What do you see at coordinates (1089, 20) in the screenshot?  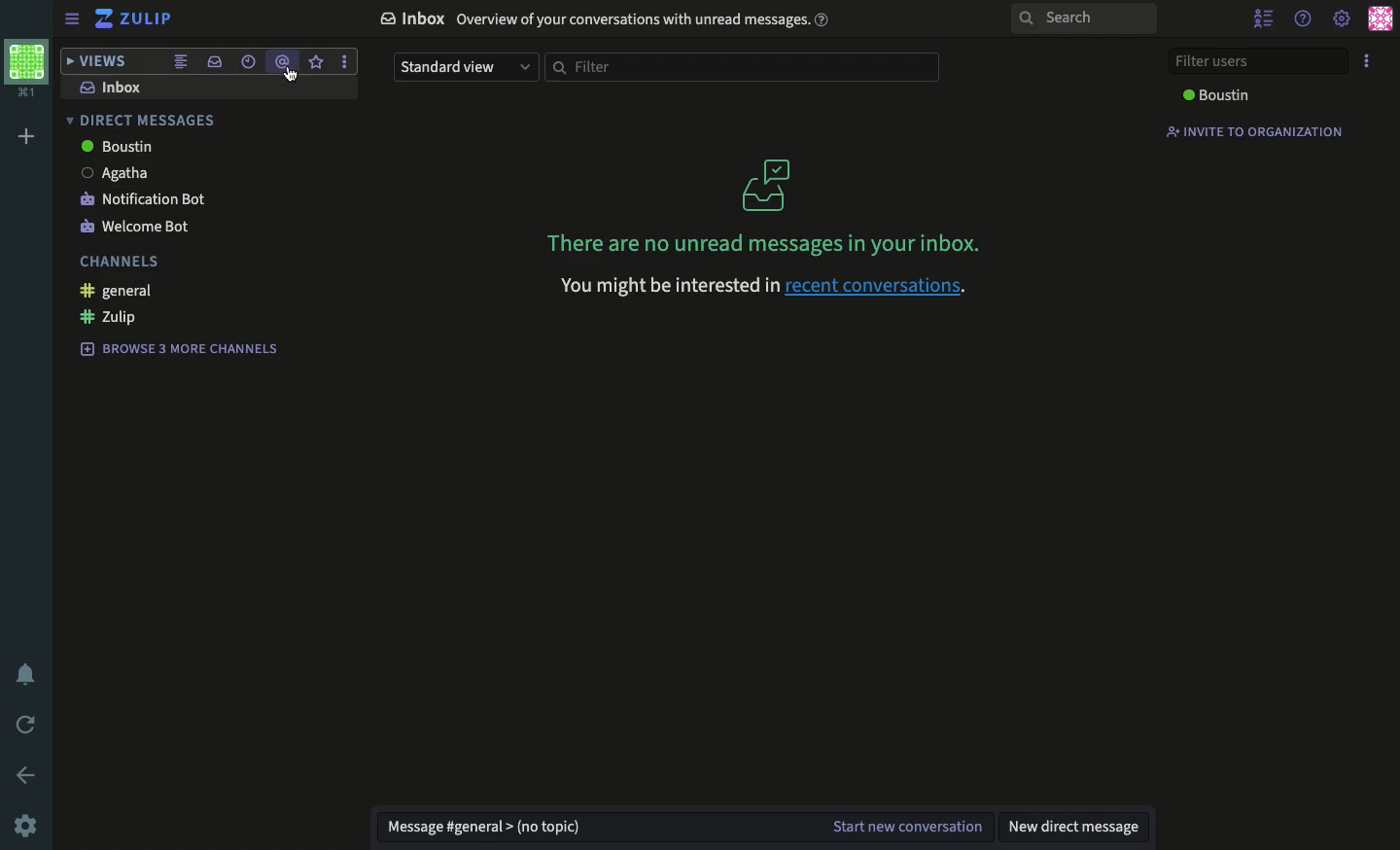 I see `search` at bounding box center [1089, 20].